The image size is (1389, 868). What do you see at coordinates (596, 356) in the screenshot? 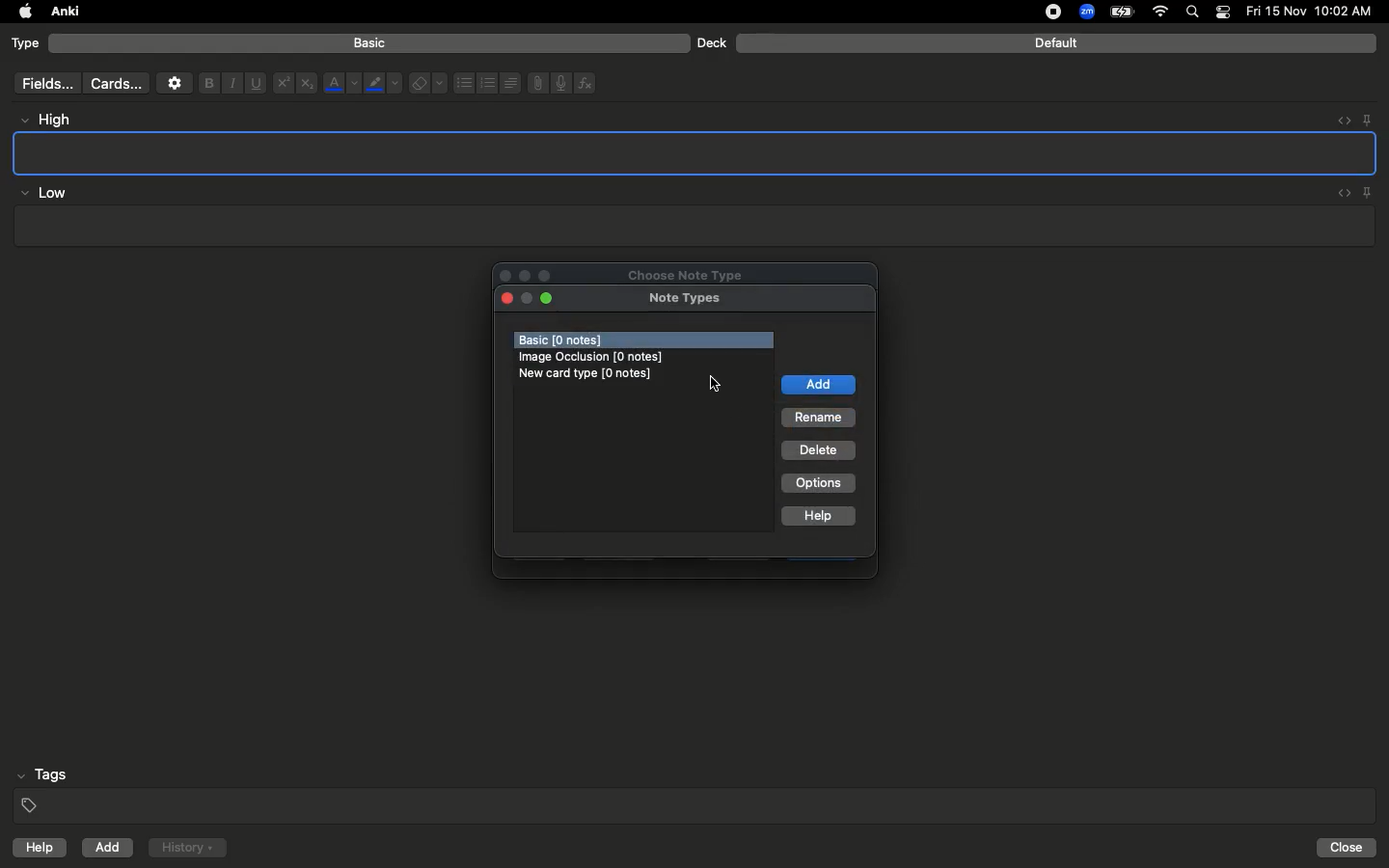
I see `Image Occlusion (0 notes)` at bounding box center [596, 356].